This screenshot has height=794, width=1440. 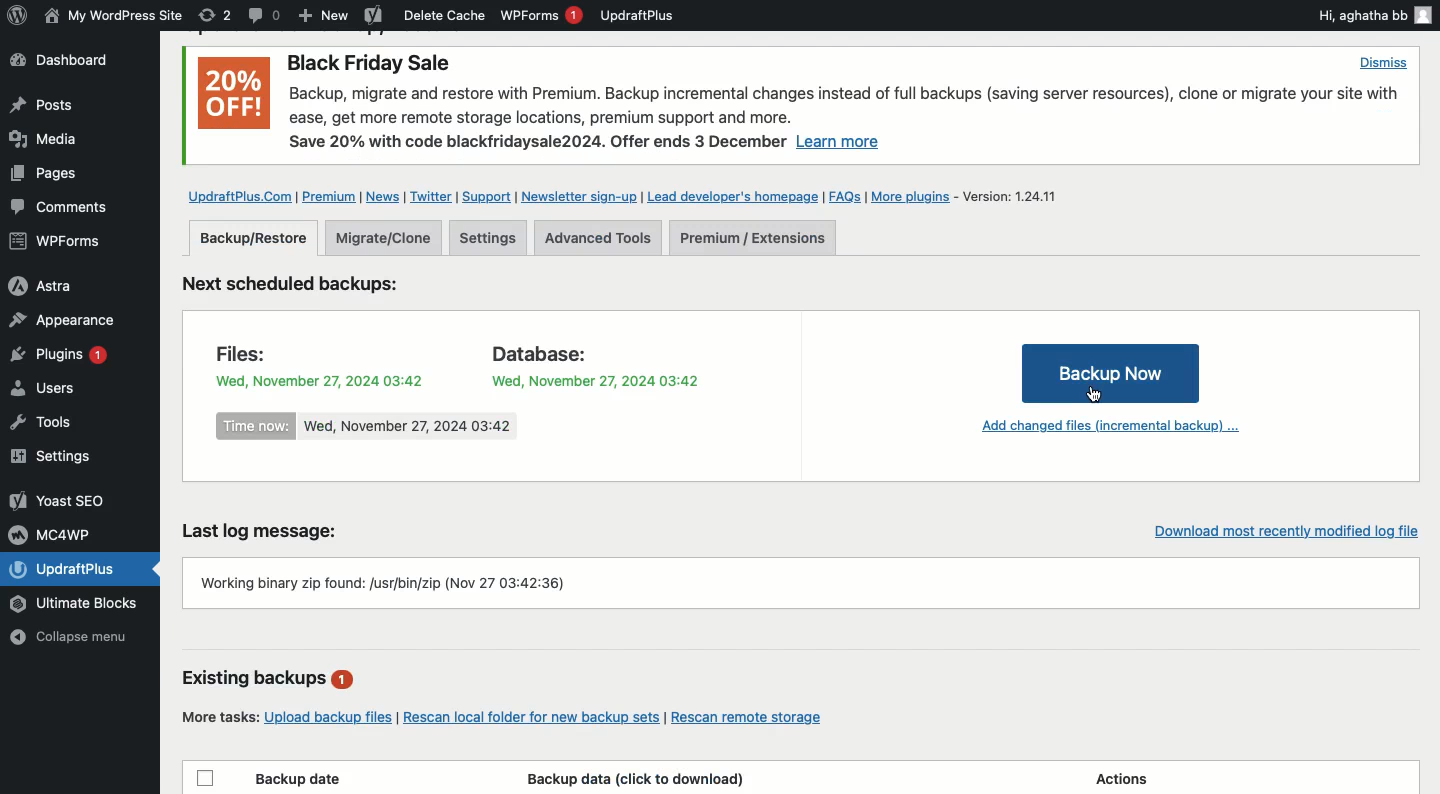 I want to click on MC4WP, so click(x=55, y=533).